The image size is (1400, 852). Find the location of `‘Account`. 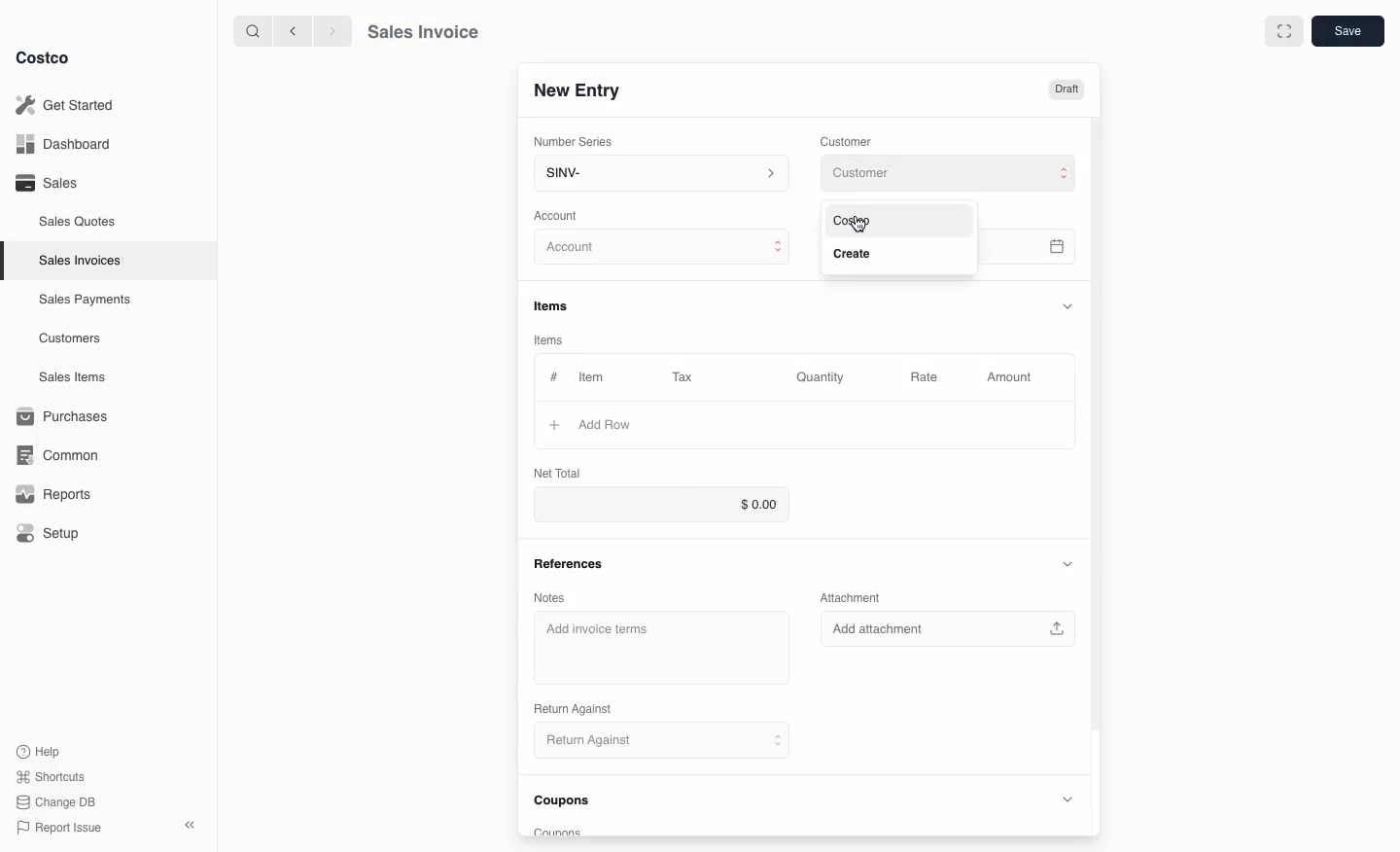

‘Account is located at coordinates (559, 214).